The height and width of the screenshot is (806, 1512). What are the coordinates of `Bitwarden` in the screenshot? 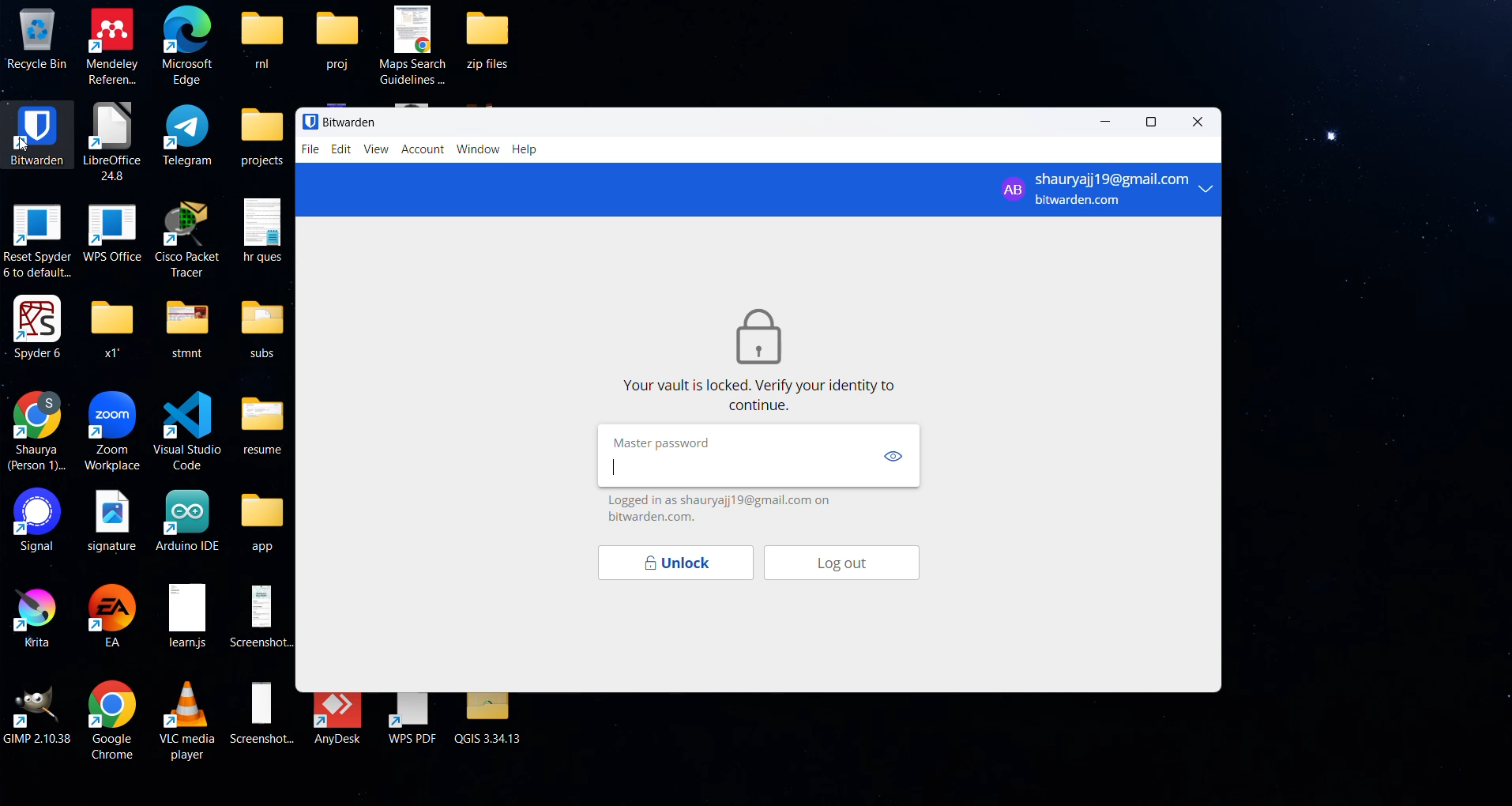 It's located at (339, 121).